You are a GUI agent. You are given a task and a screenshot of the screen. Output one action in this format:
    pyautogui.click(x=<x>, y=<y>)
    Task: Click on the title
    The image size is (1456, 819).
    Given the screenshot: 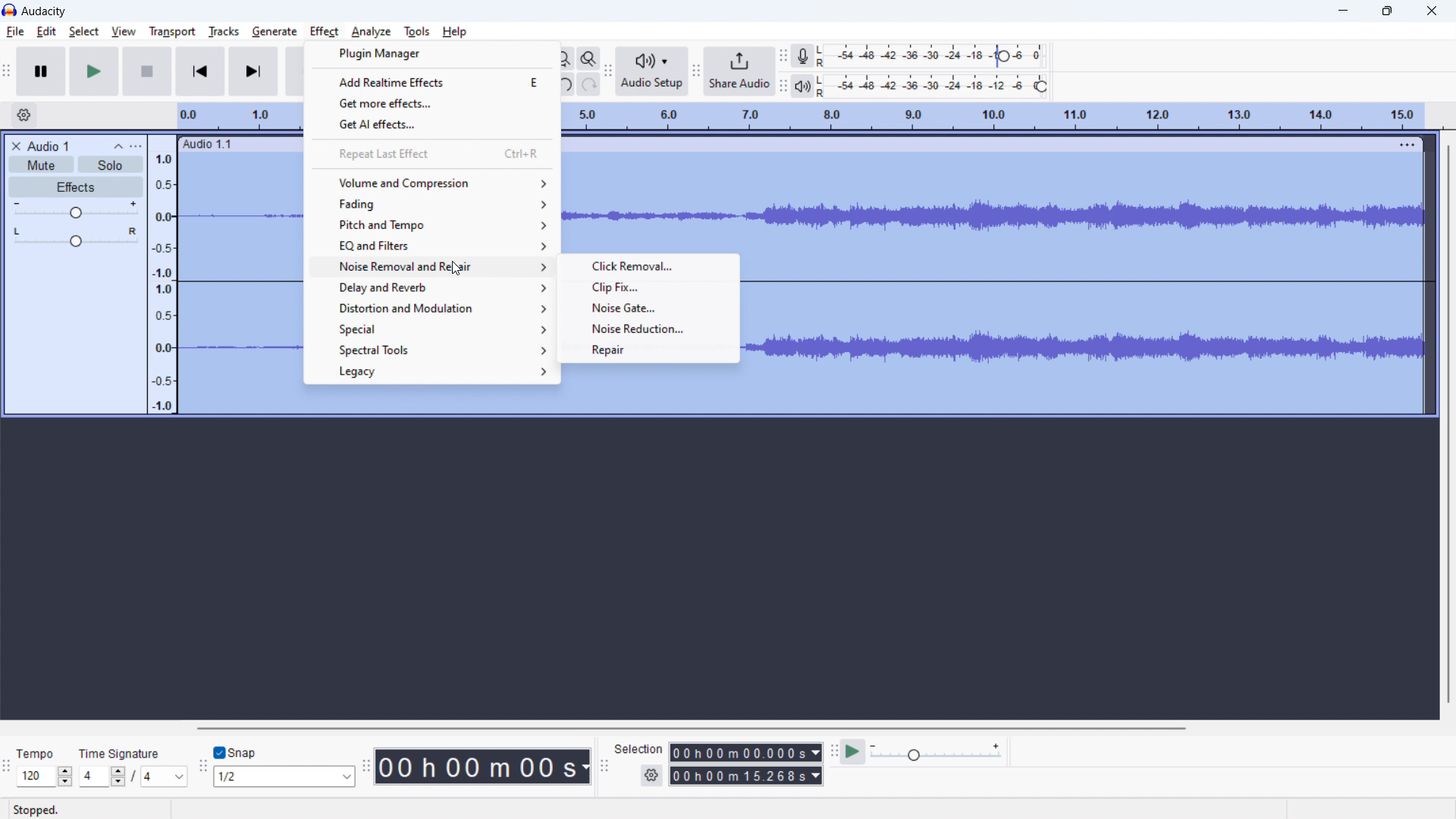 What is the action you would take?
    pyautogui.click(x=47, y=146)
    